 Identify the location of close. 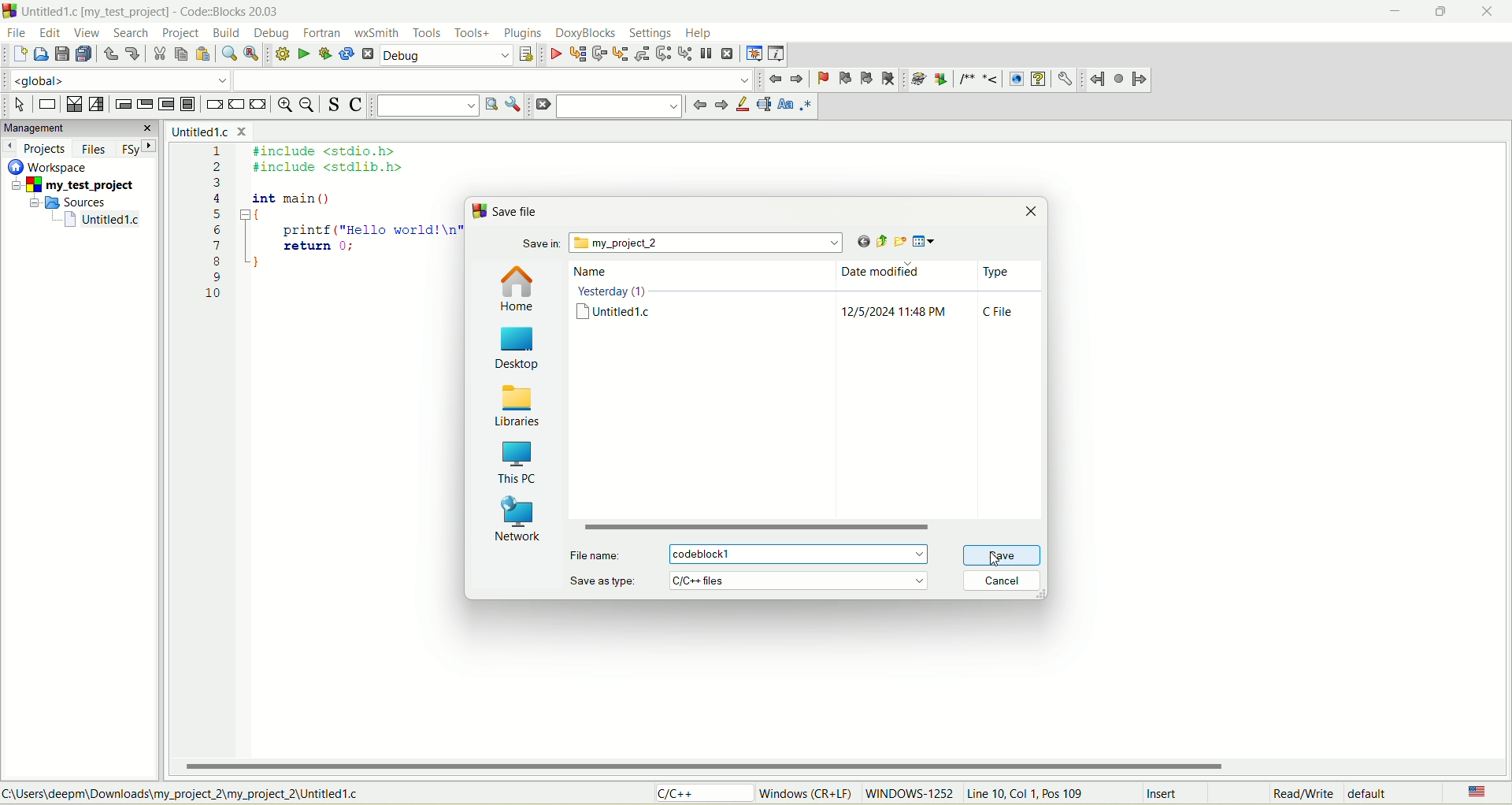
(1492, 12).